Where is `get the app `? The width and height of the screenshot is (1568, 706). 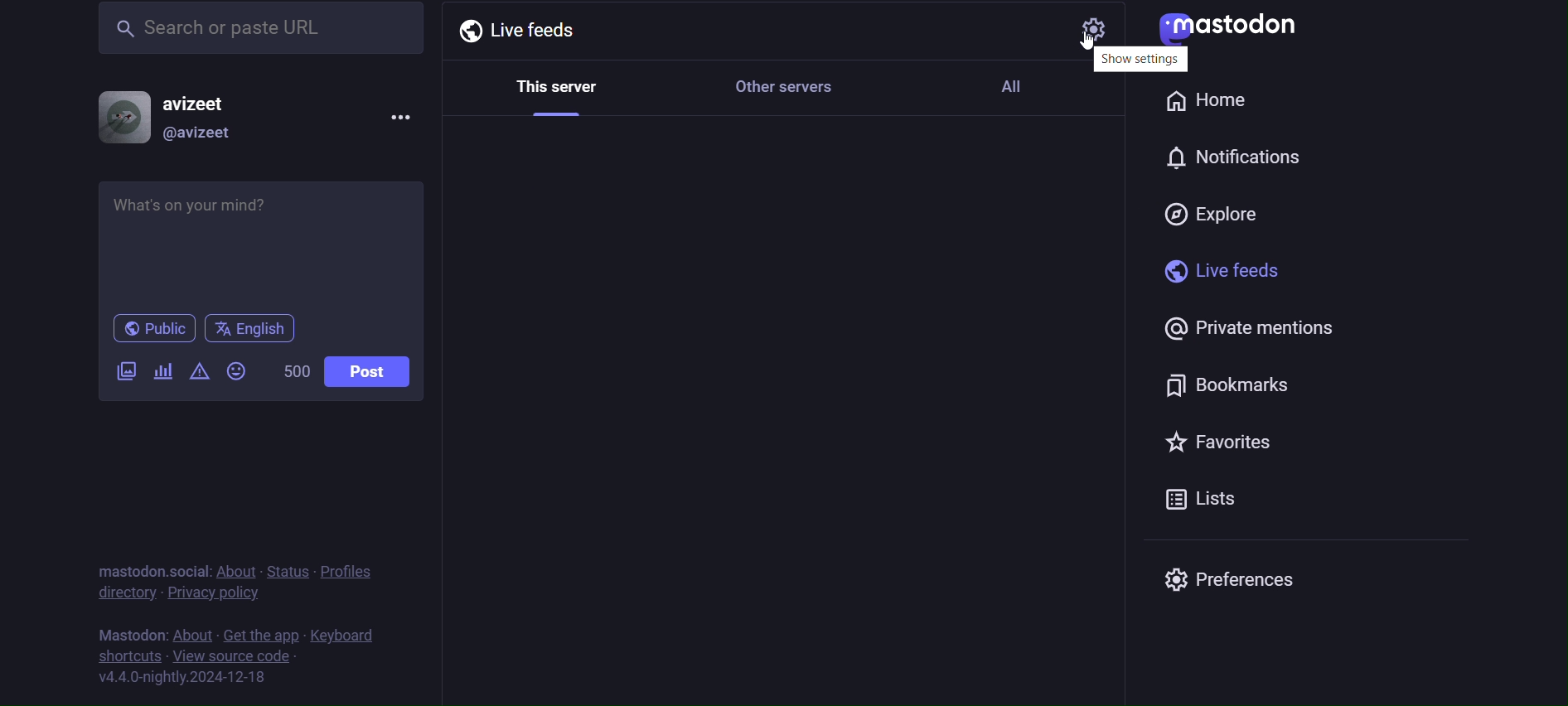
get the app  is located at coordinates (259, 627).